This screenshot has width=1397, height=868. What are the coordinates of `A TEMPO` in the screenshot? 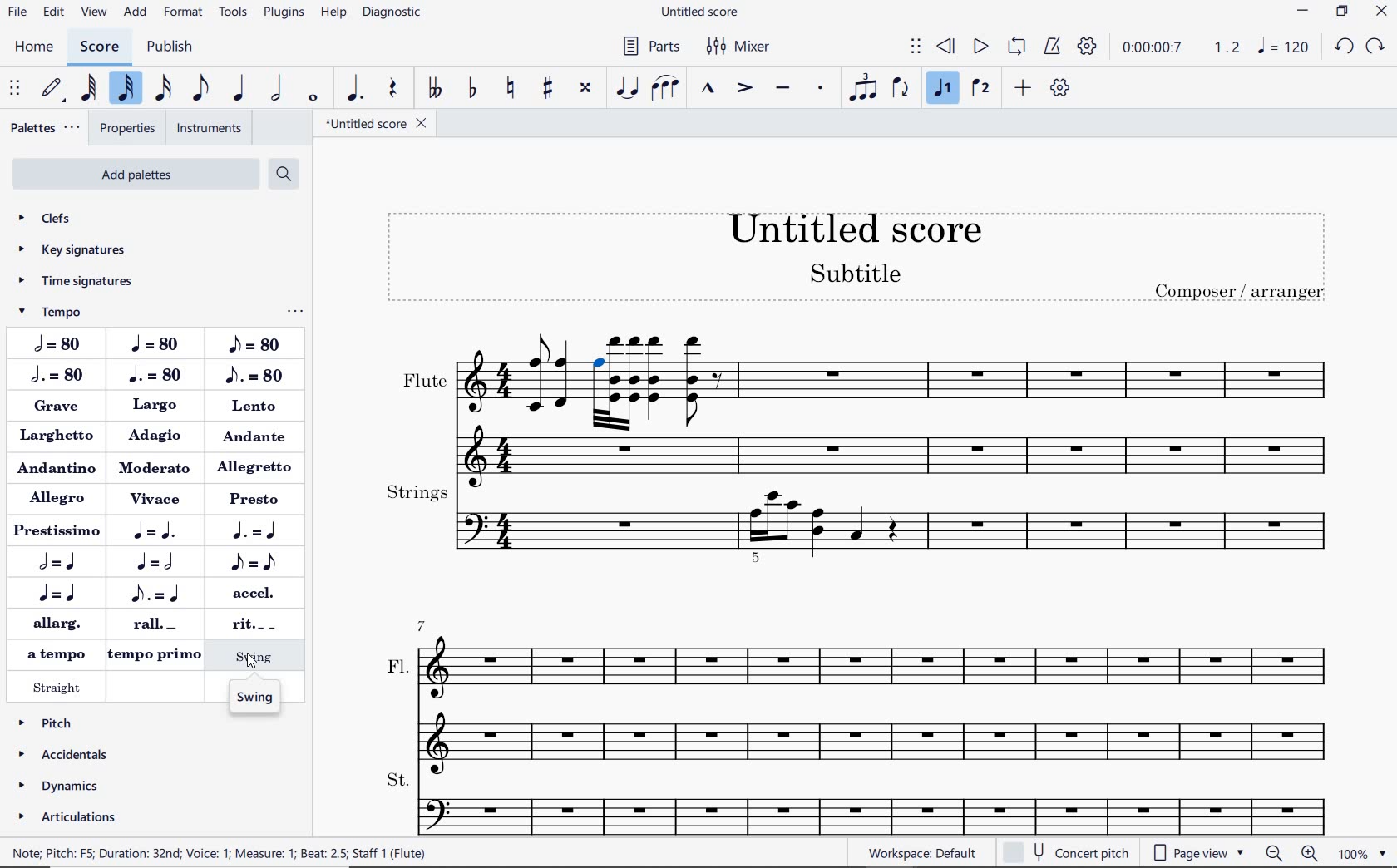 It's located at (52, 652).